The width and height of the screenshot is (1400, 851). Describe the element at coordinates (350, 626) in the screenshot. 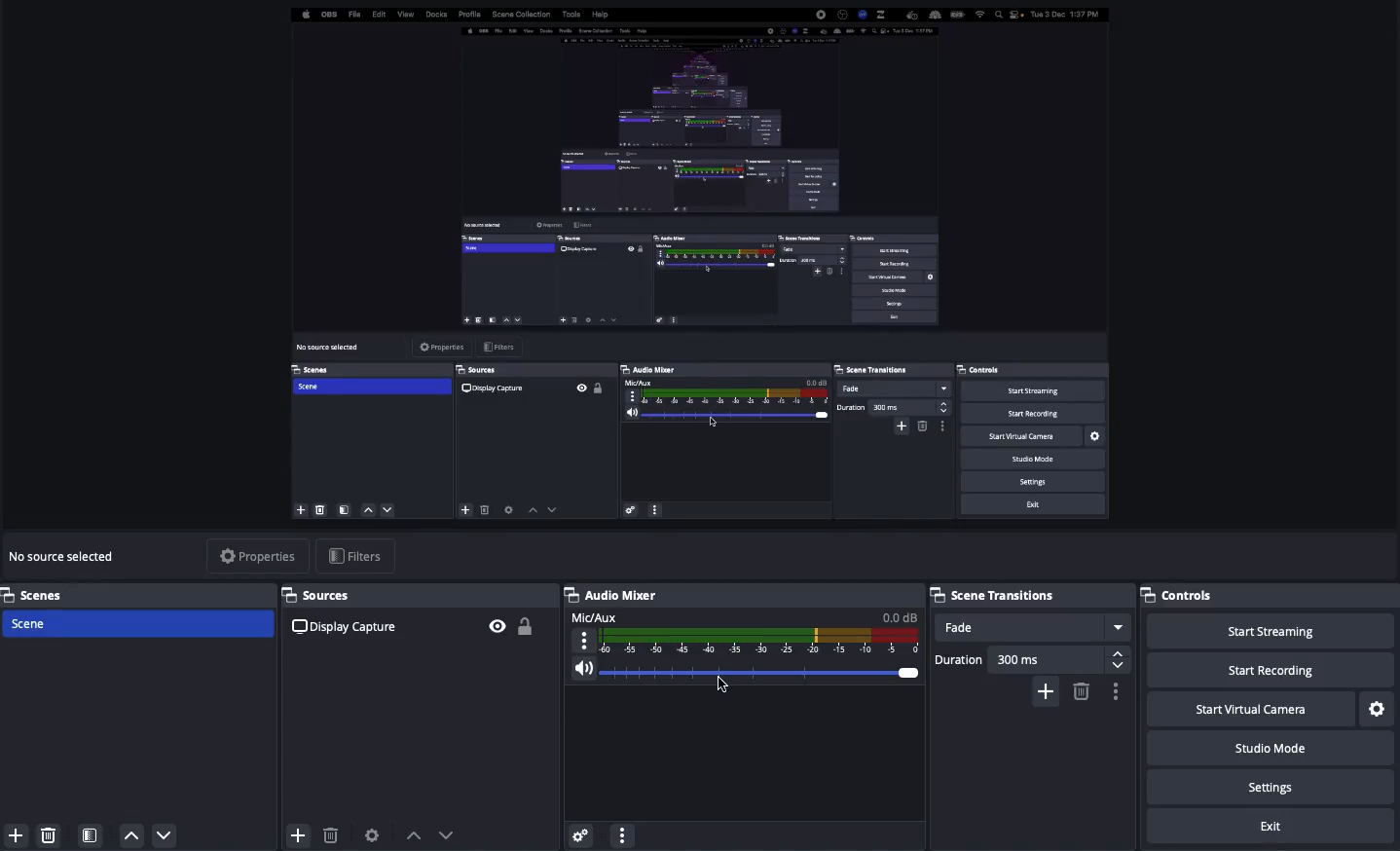

I see `Display capture` at that location.